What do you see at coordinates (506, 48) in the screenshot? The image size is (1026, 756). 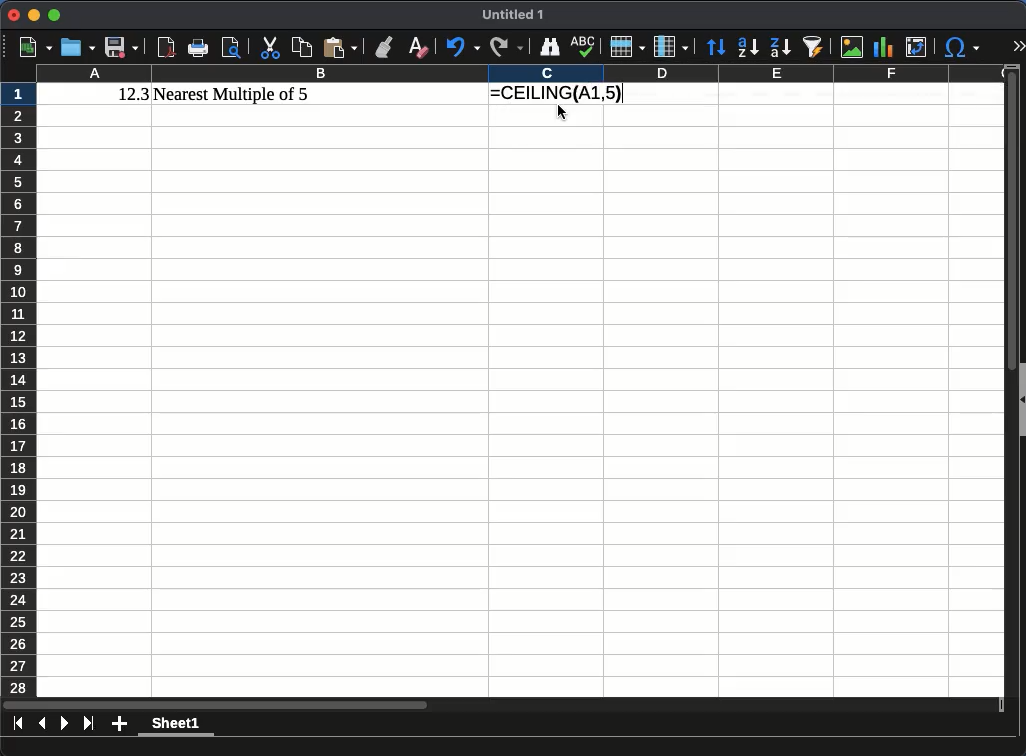 I see `redo` at bounding box center [506, 48].